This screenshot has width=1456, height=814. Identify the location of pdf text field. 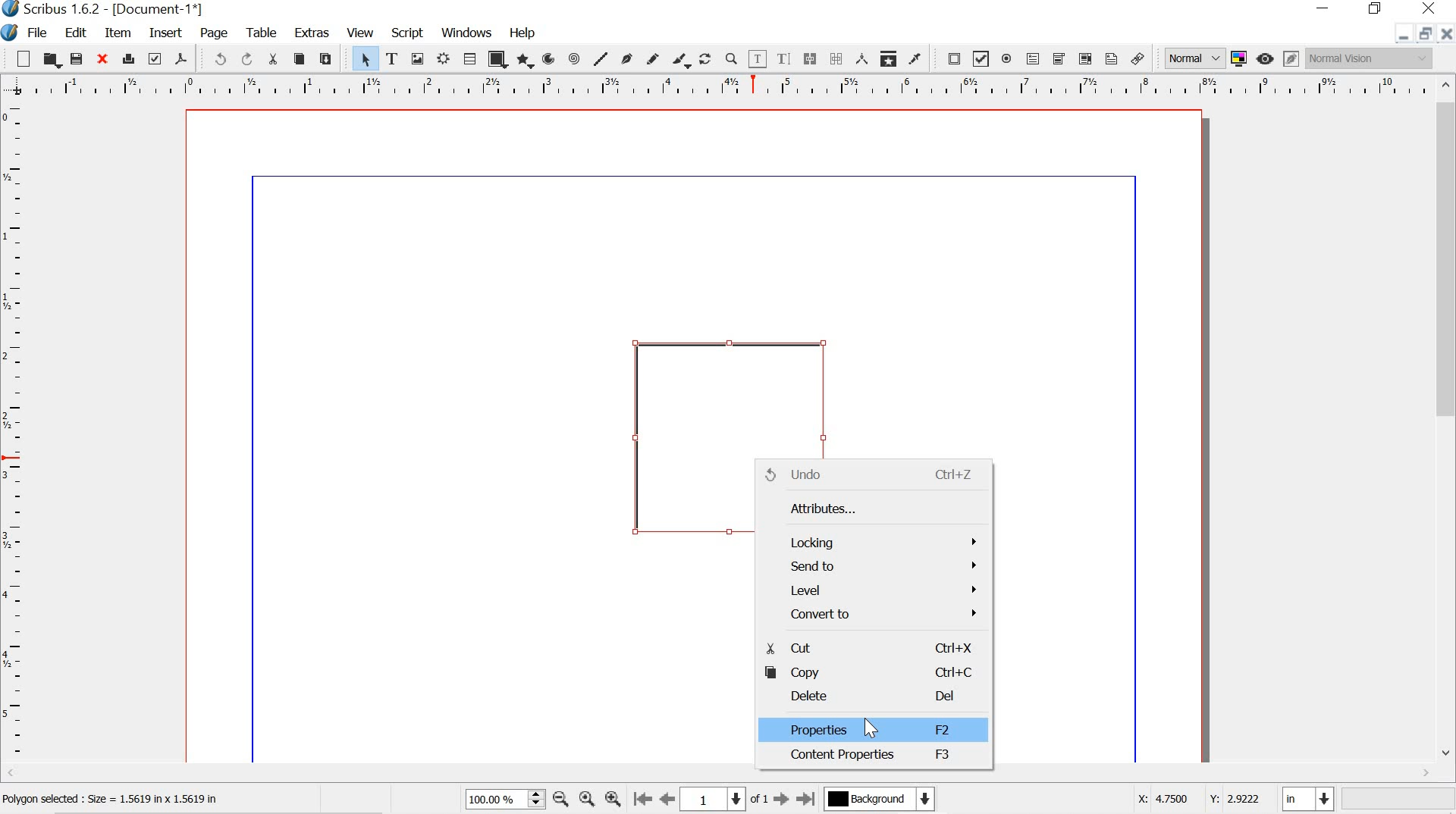
(1036, 59).